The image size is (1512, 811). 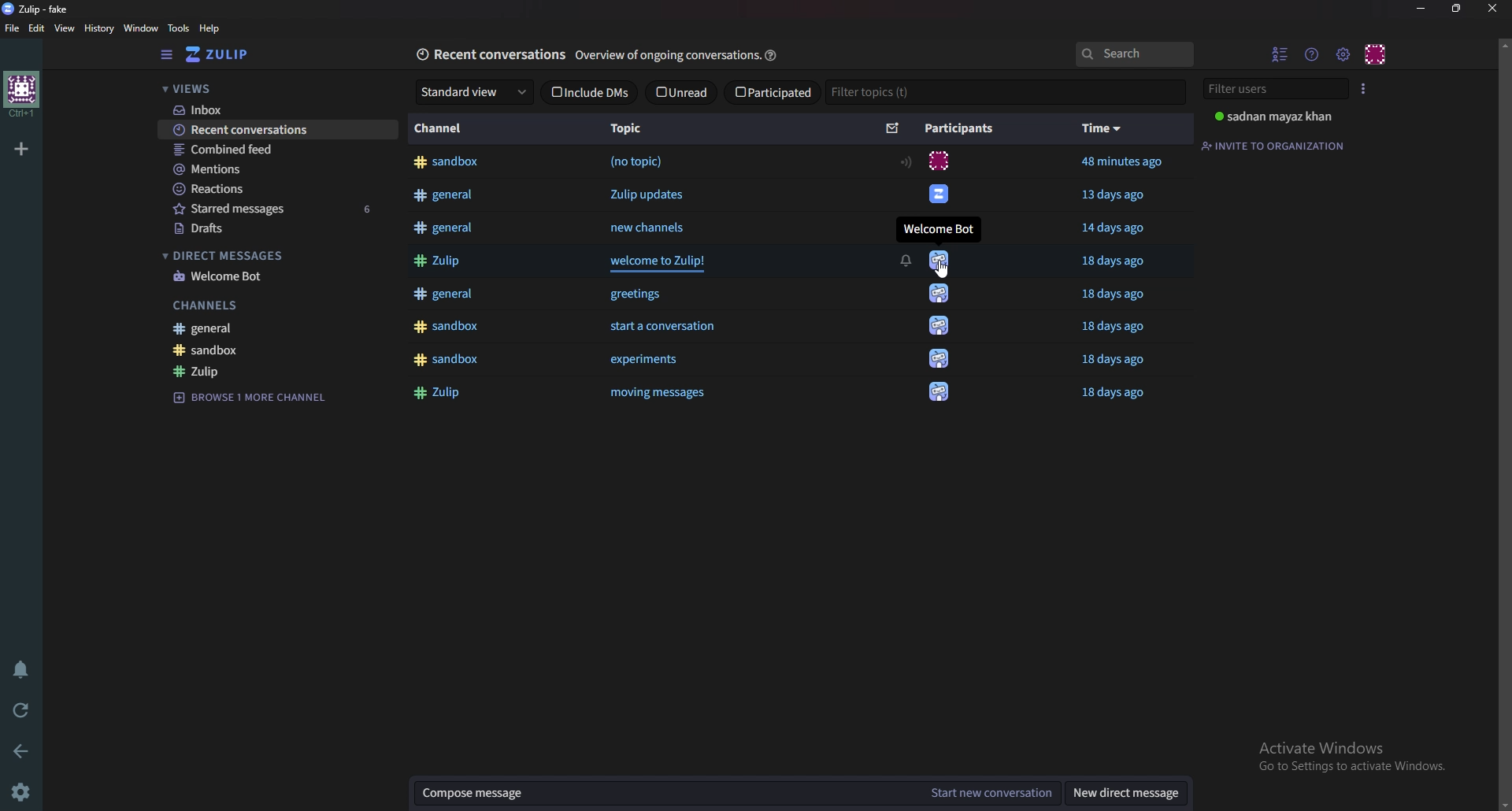 What do you see at coordinates (490, 55) in the screenshot?
I see `Recent conversations` at bounding box center [490, 55].